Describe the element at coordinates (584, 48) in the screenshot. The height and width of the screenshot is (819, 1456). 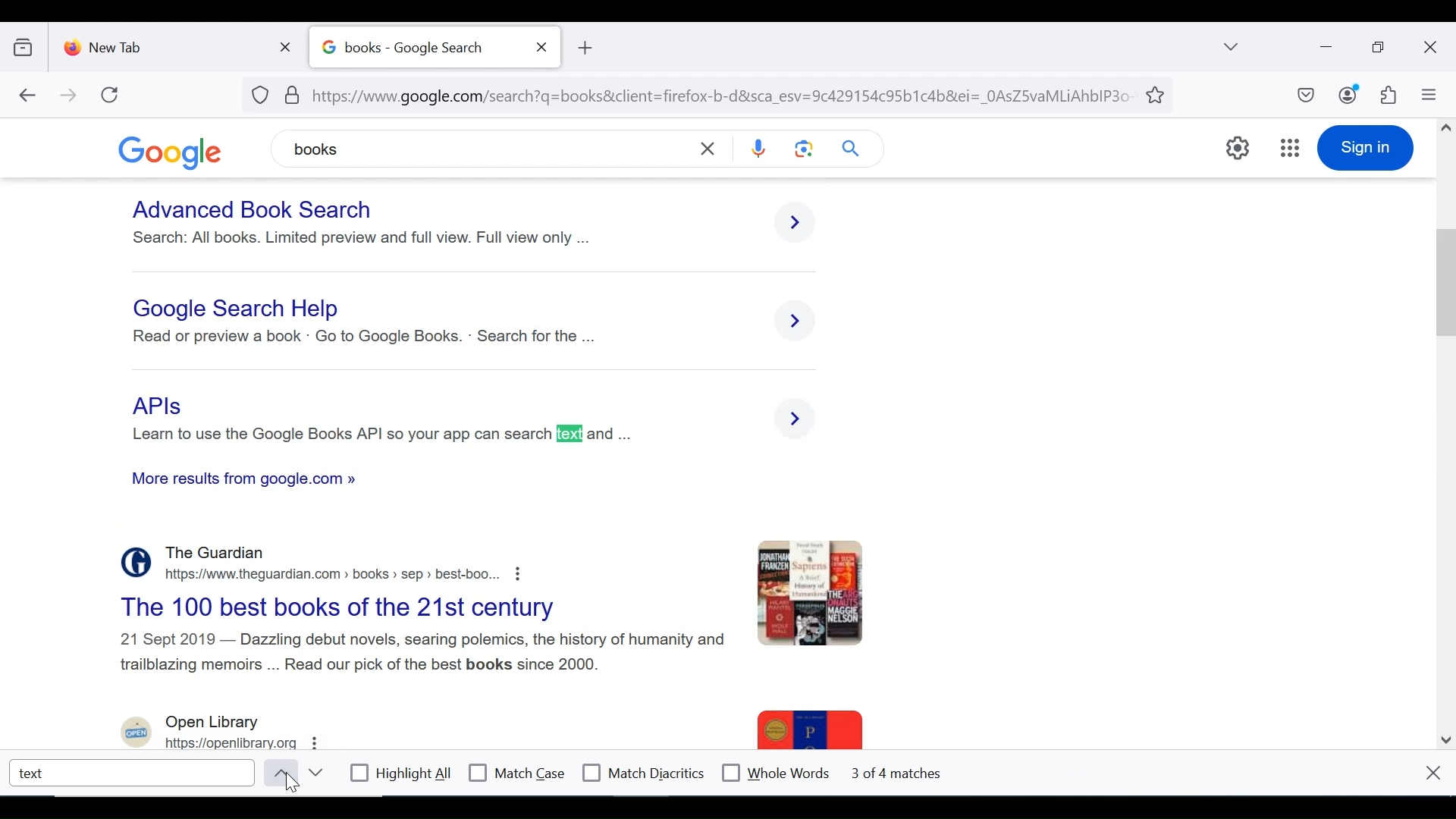
I see `new tB` at that location.